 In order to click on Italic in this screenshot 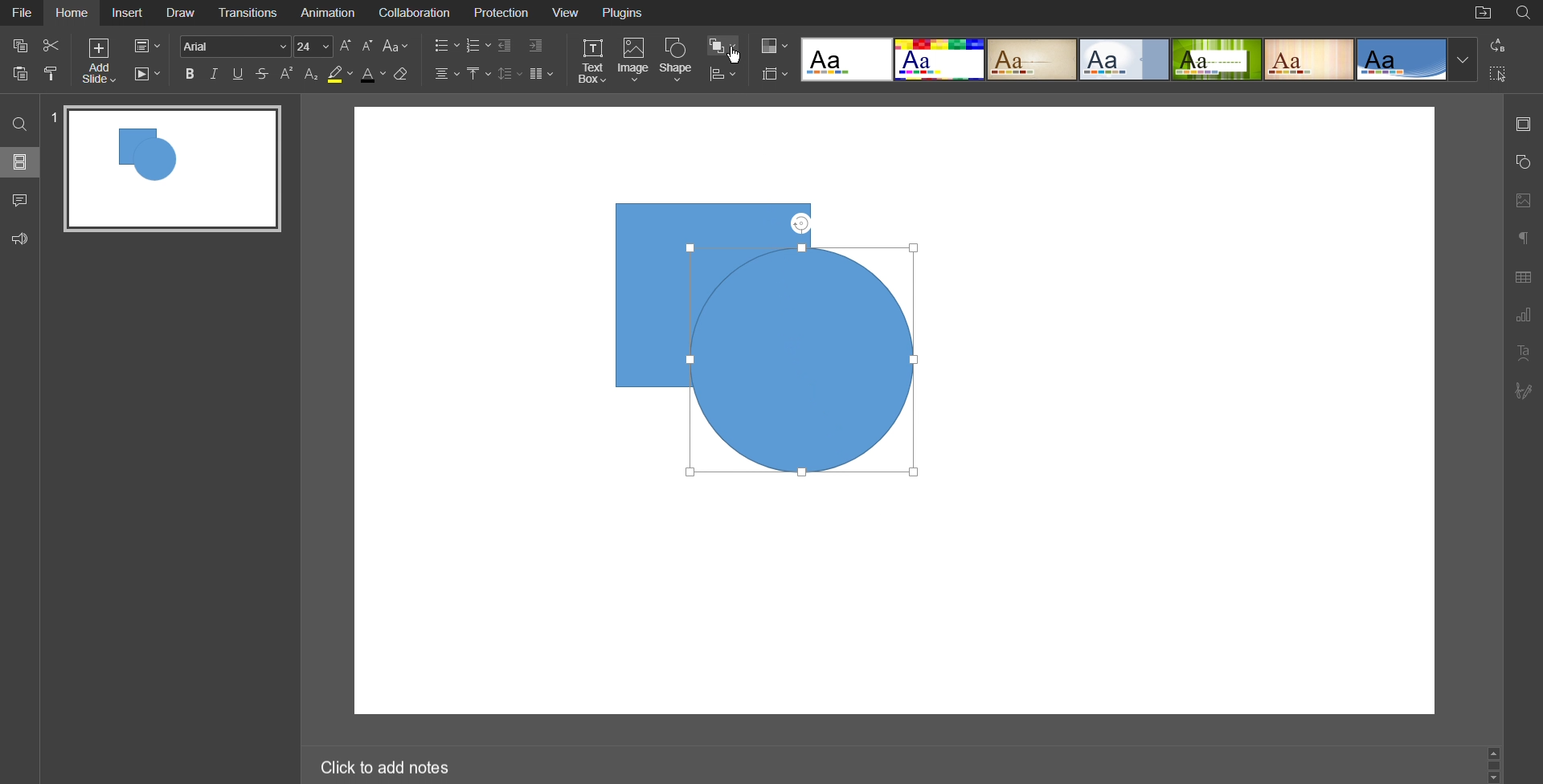, I will do `click(215, 75)`.